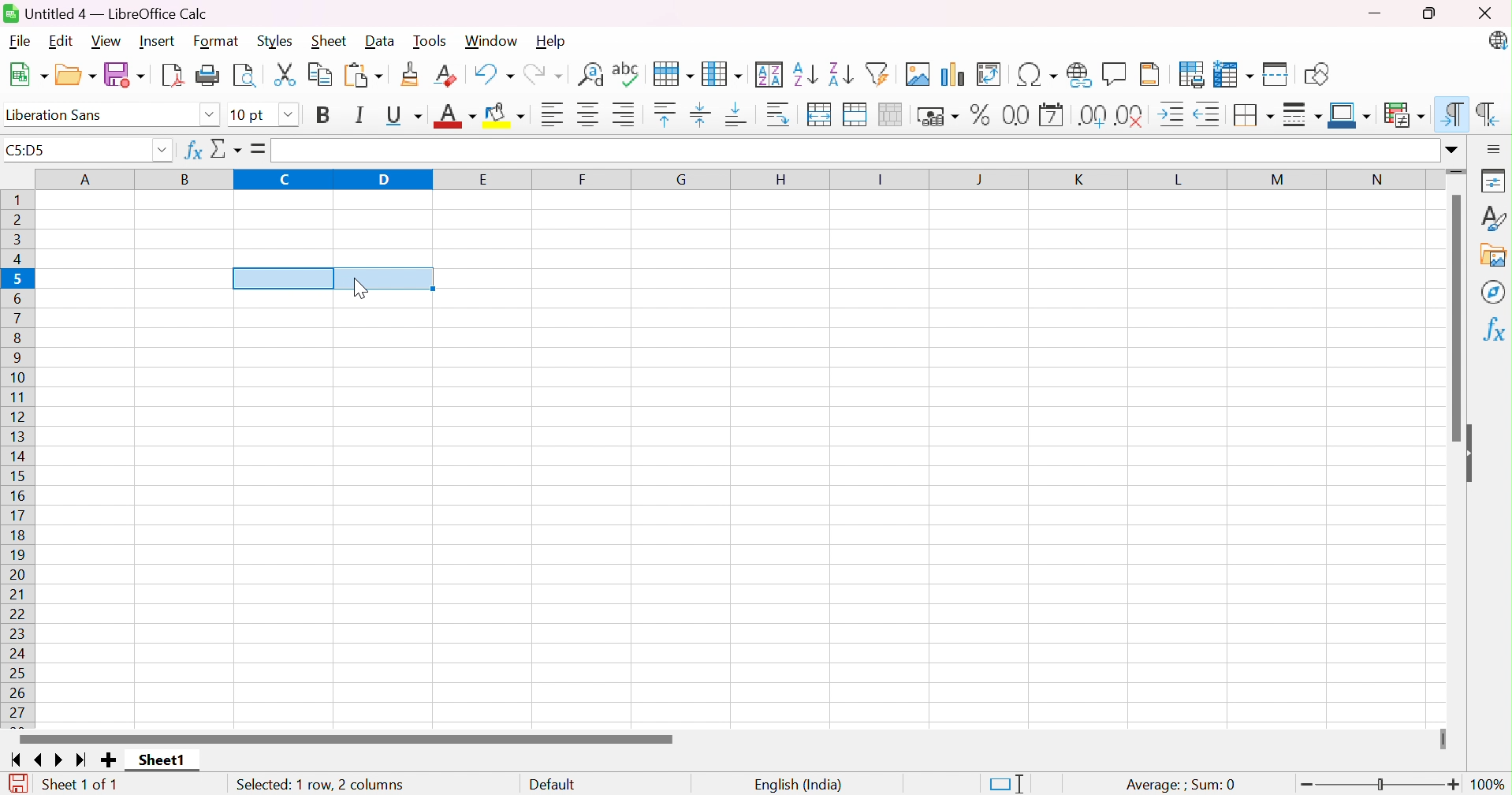 This screenshot has height=795, width=1512. I want to click on Define Print Area, so click(1191, 74).